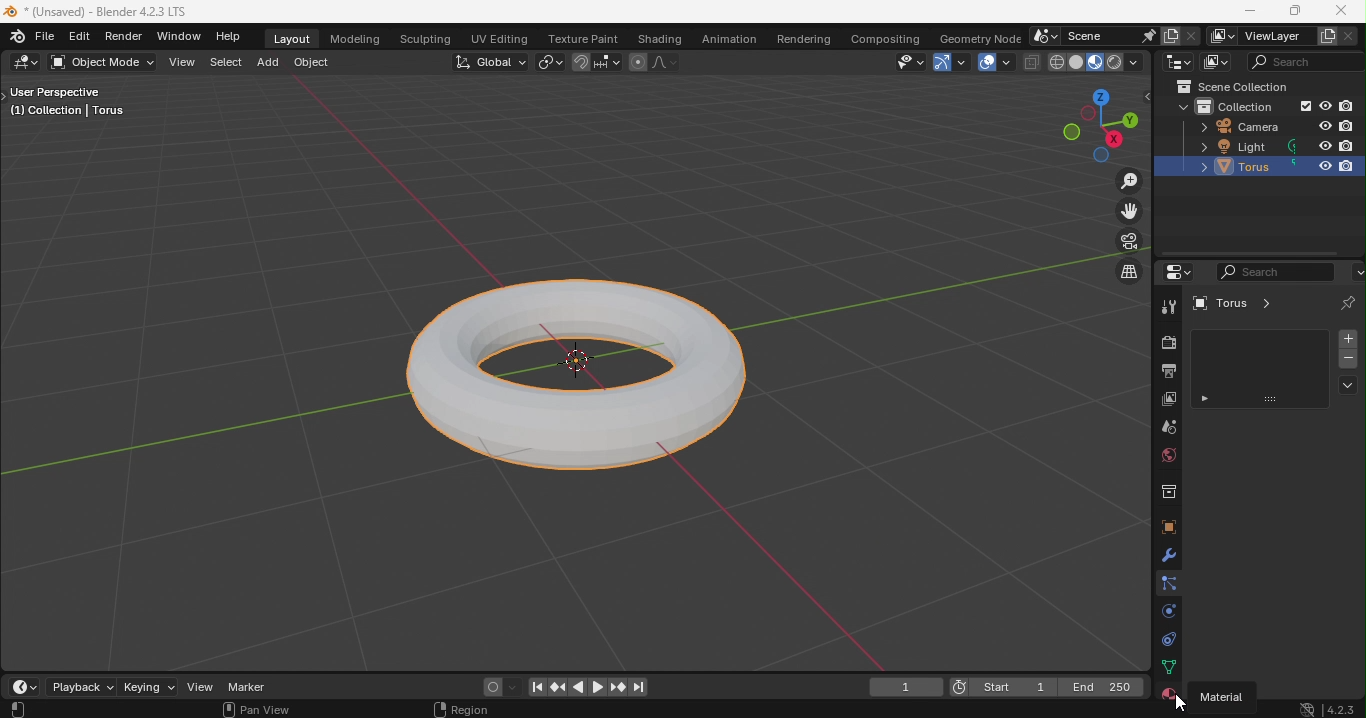 Image resolution: width=1366 pixels, height=718 pixels. I want to click on Toggle tree view, so click(1146, 96).